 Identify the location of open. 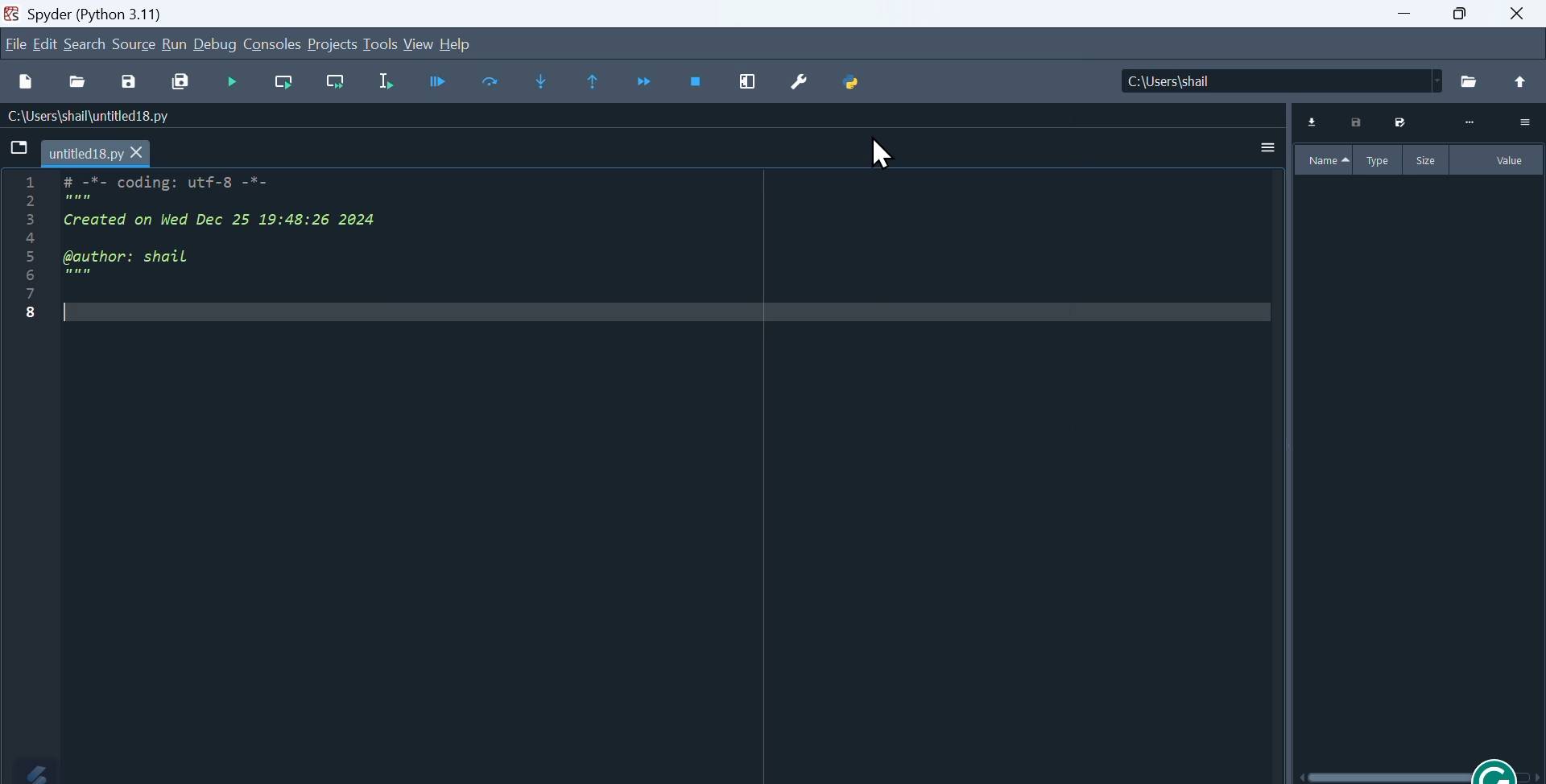
(77, 78).